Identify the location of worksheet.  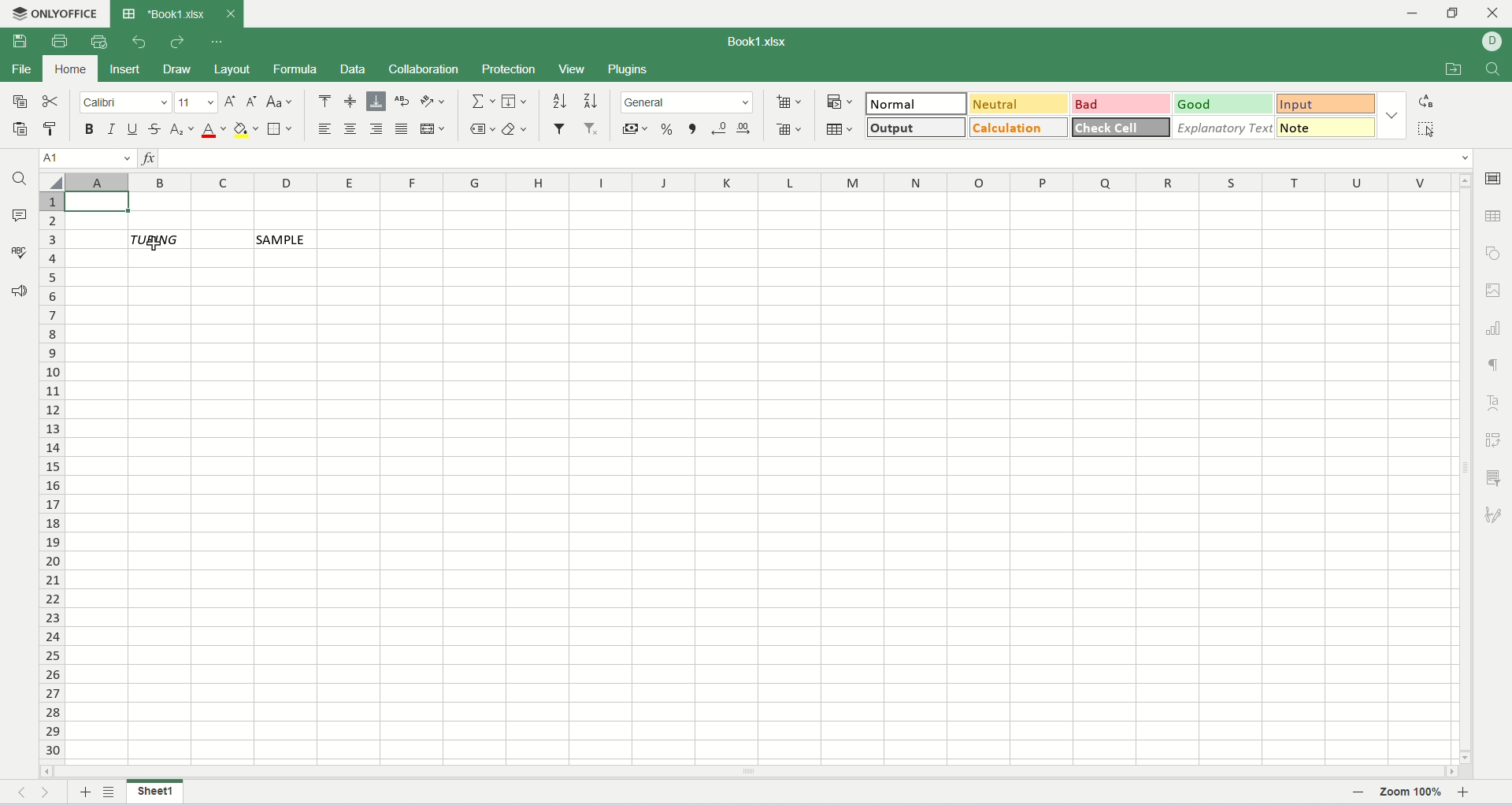
(762, 480).